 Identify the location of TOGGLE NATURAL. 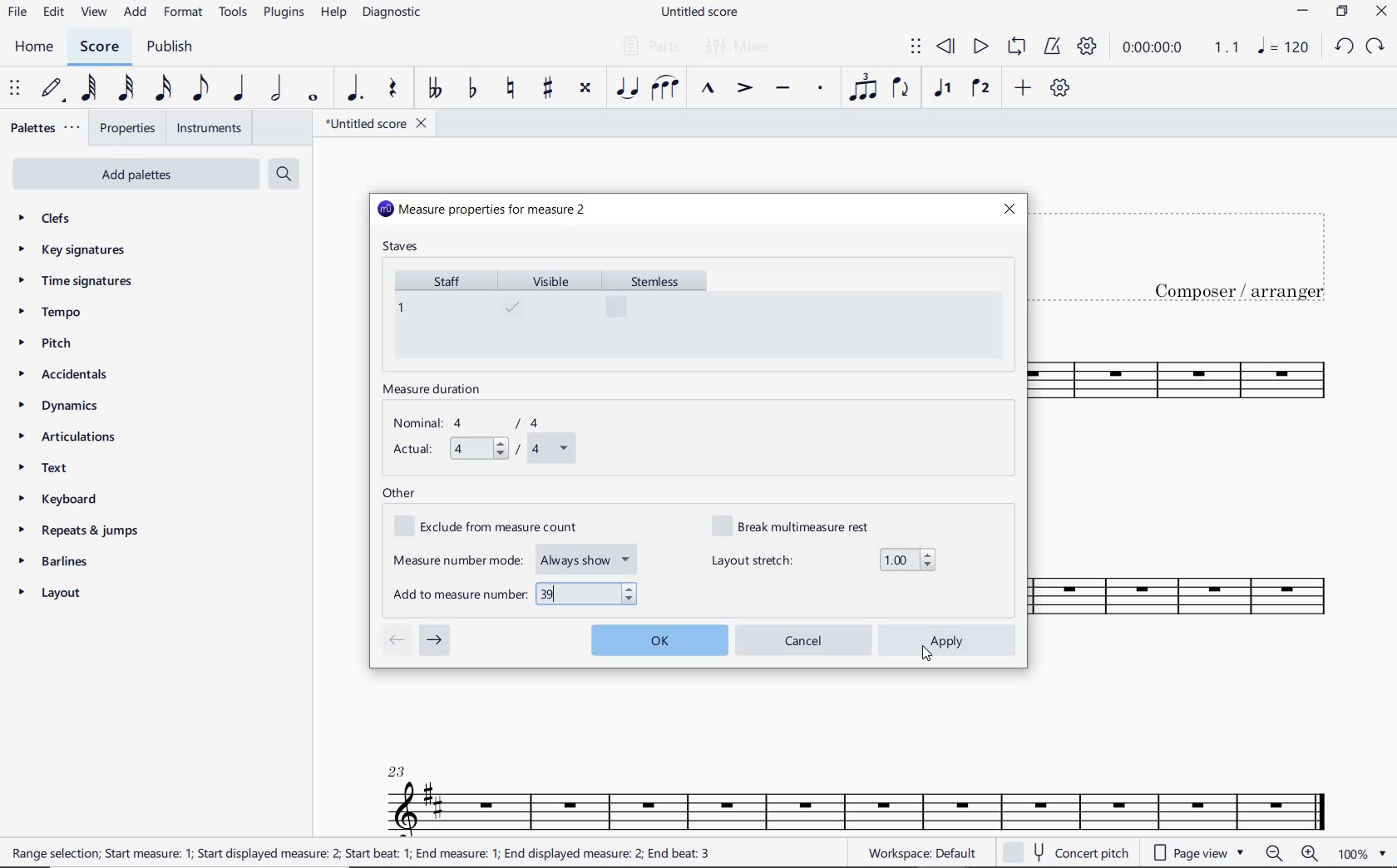
(513, 89).